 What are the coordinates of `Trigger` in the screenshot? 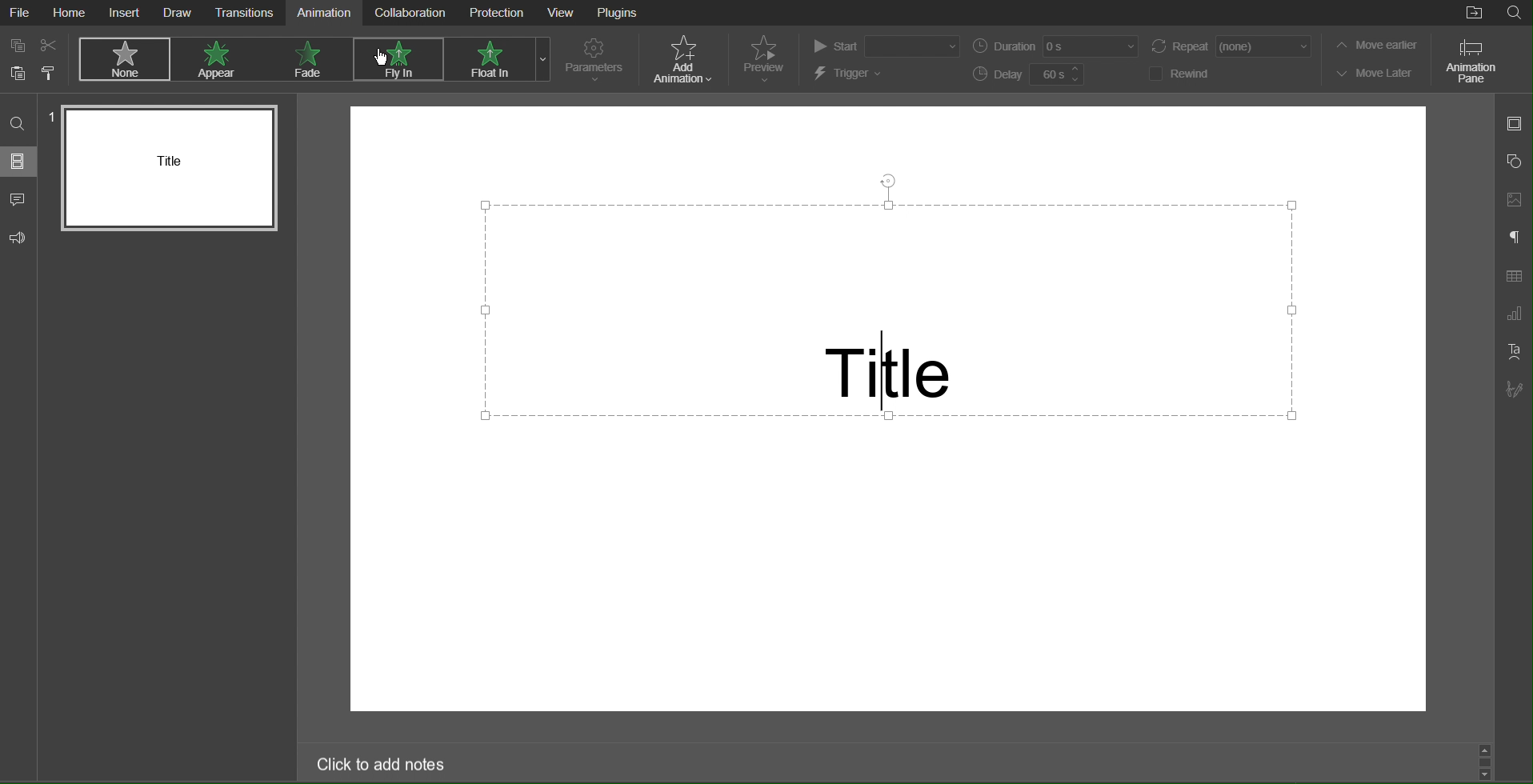 It's located at (850, 74).